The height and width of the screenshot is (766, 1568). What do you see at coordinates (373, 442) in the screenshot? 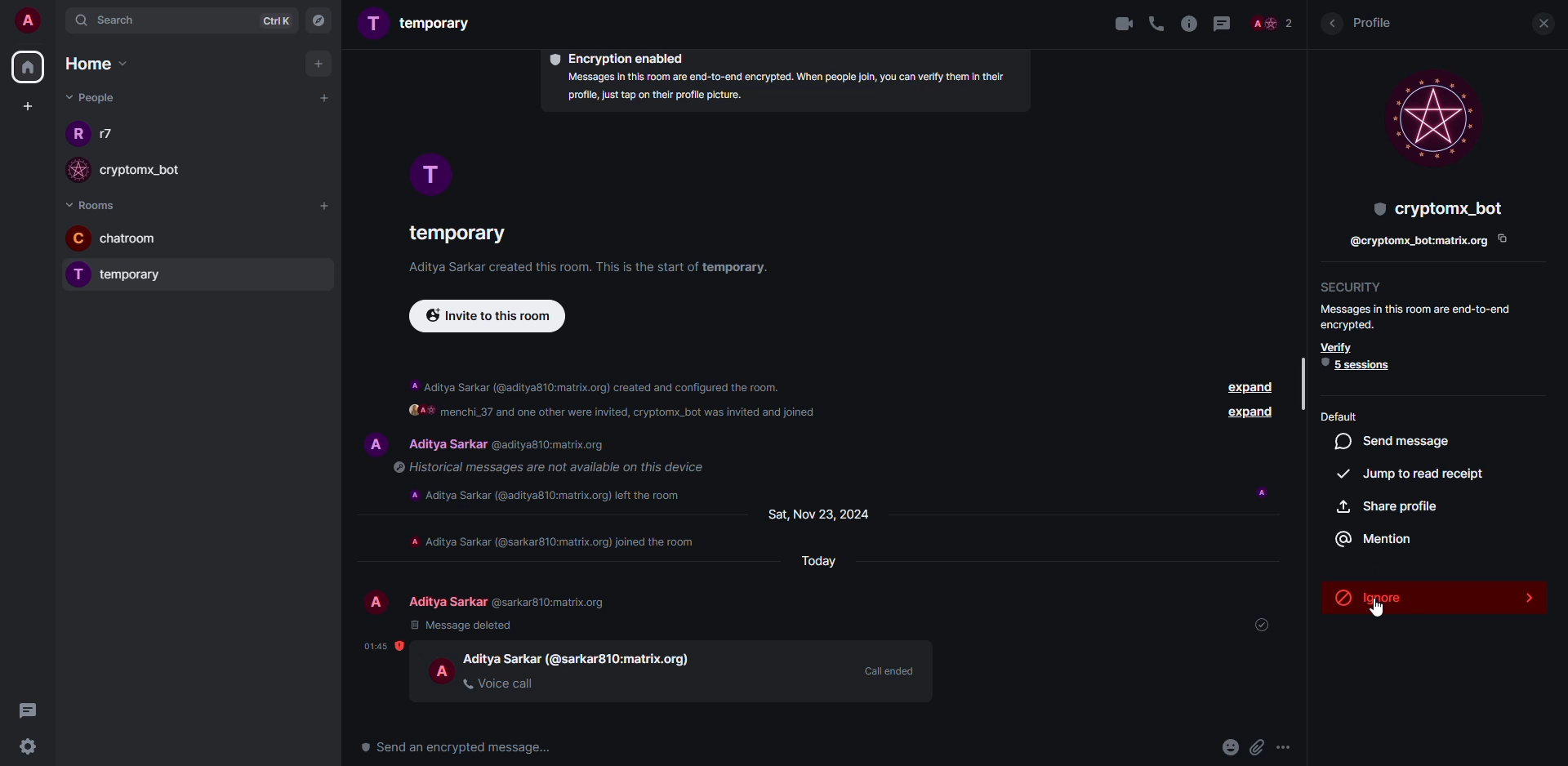
I see `profile` at bounding box center [373, 442].